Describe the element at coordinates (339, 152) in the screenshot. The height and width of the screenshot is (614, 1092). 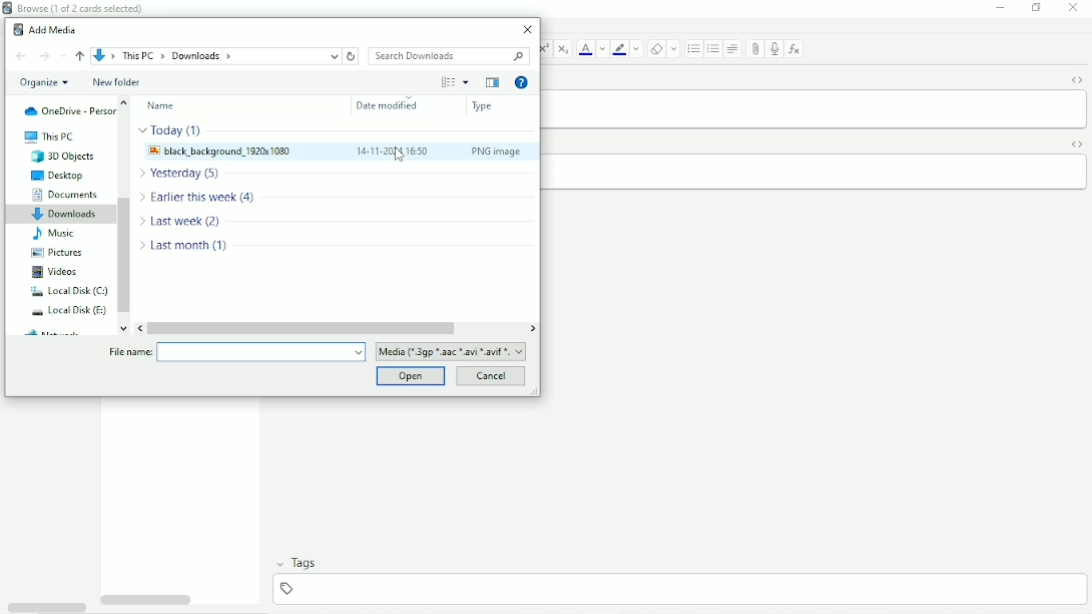
I see `Image` at that location.